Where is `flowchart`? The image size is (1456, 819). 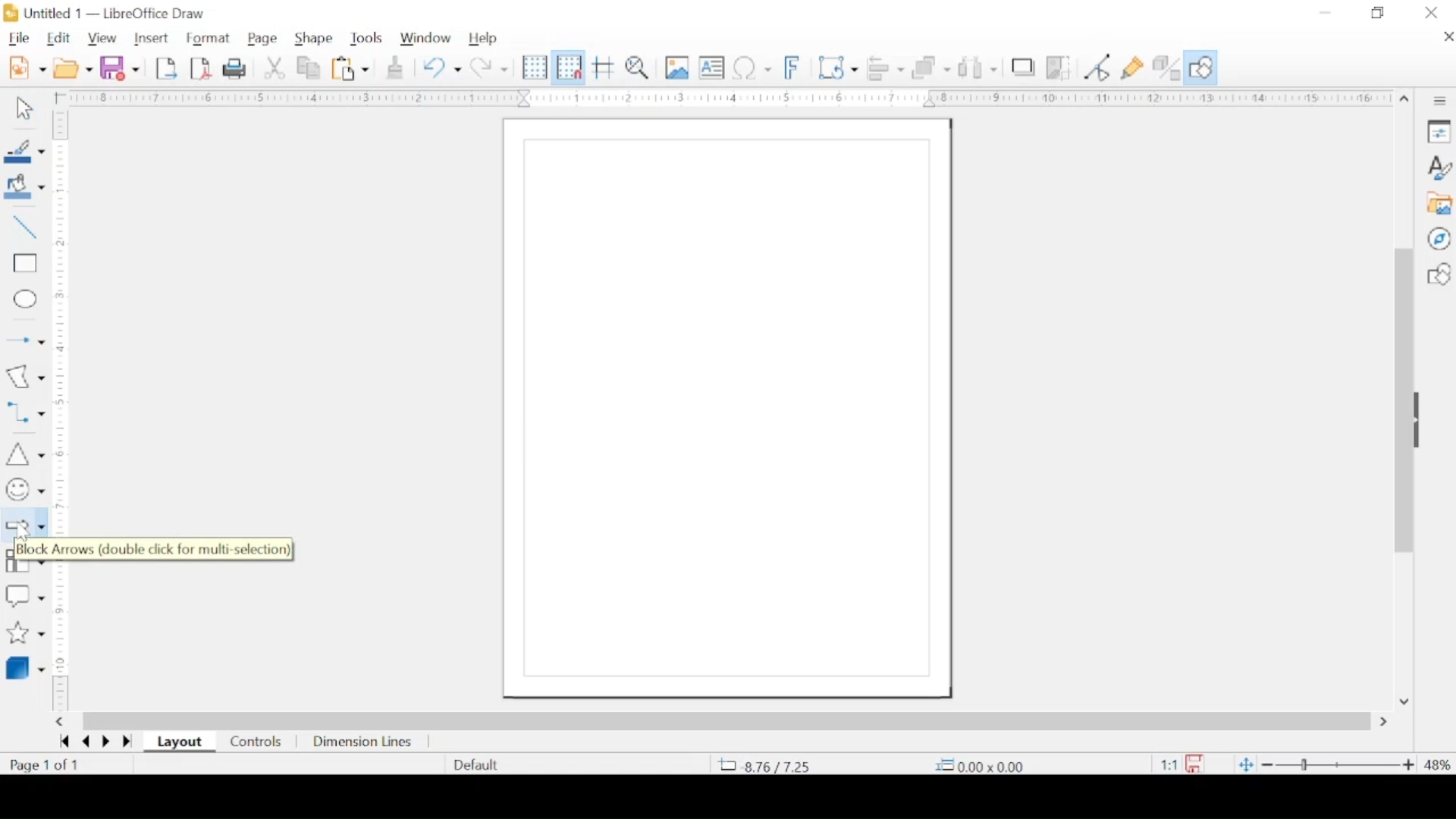
flowchart is located at coordinates (25, 570).